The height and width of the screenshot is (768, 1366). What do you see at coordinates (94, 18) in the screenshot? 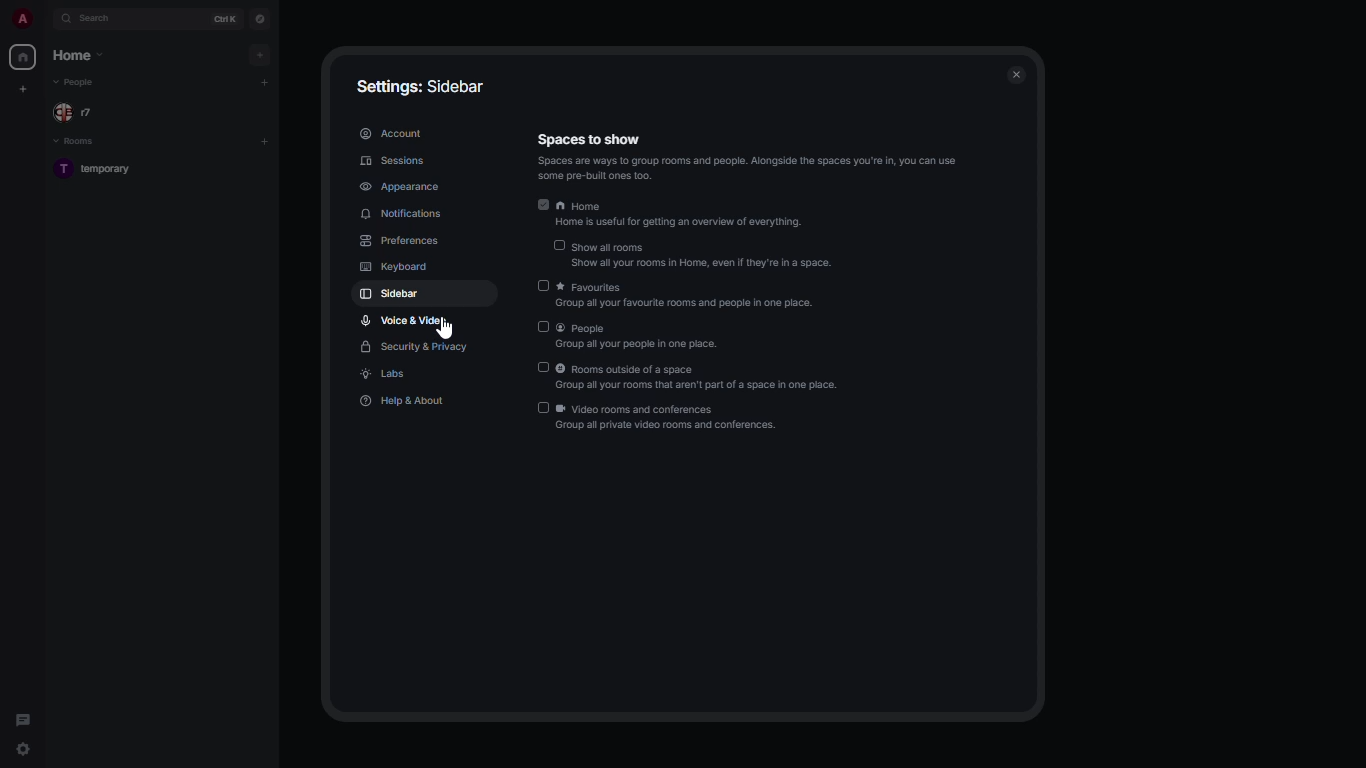
I see `search` at bounding box center [94, 18].